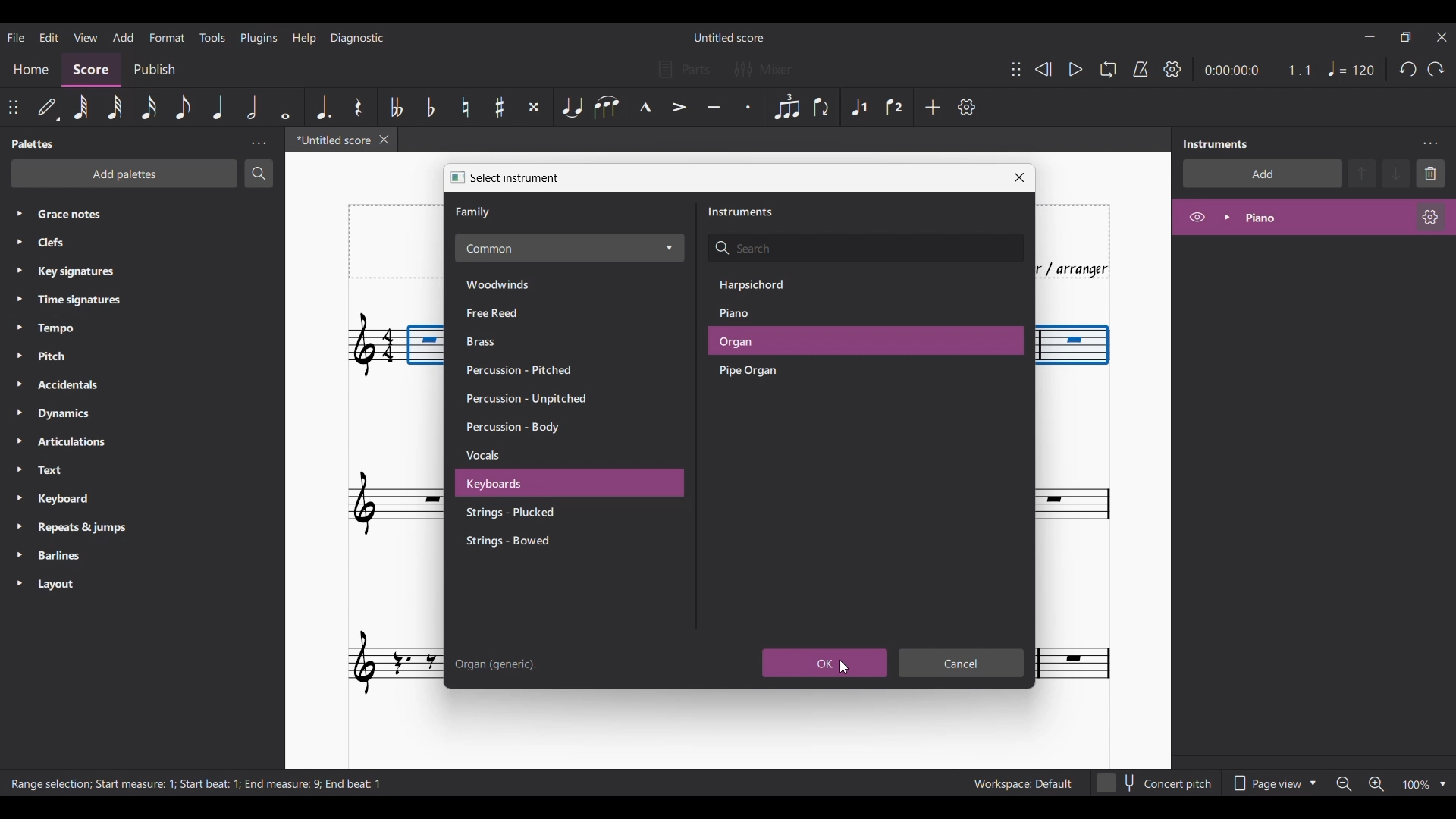  What do you see at coordinates (825, 663) in the screenshot?
I see `ok` at bounding box center [825, 663].